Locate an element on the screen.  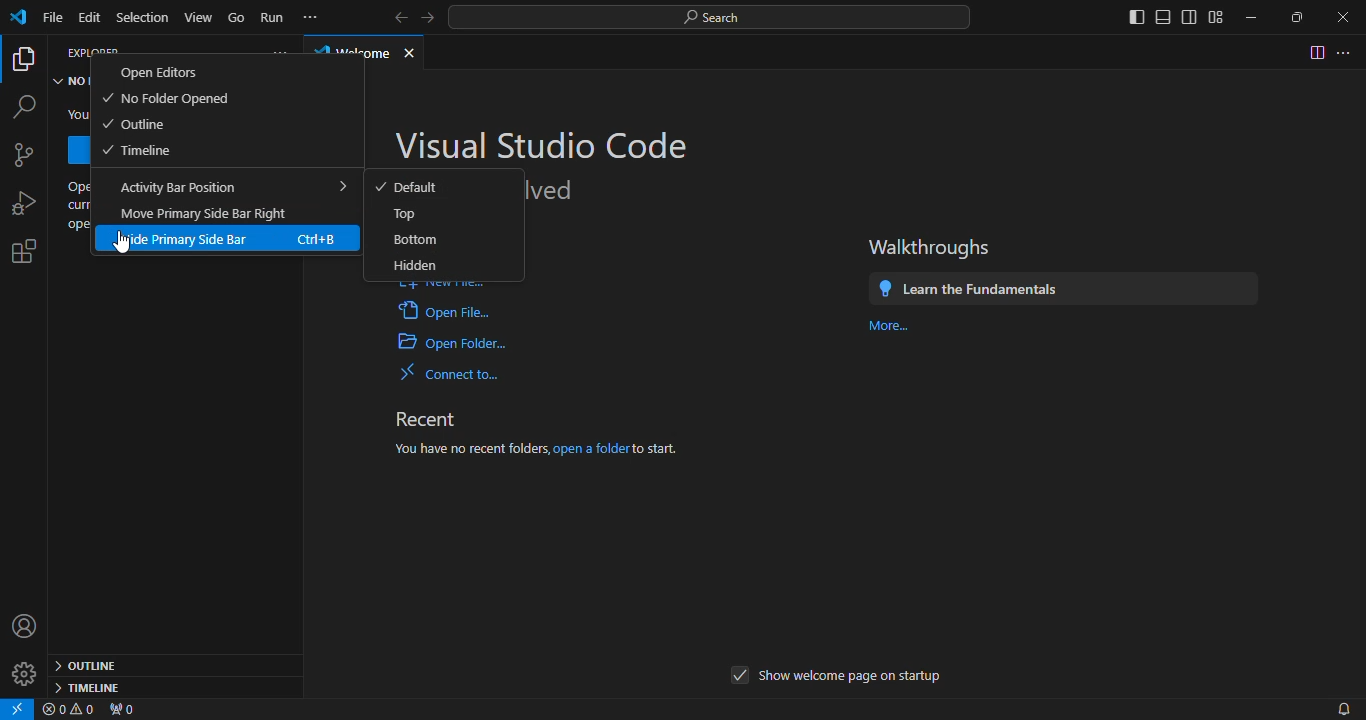
File is located at coordinates (49, 16).